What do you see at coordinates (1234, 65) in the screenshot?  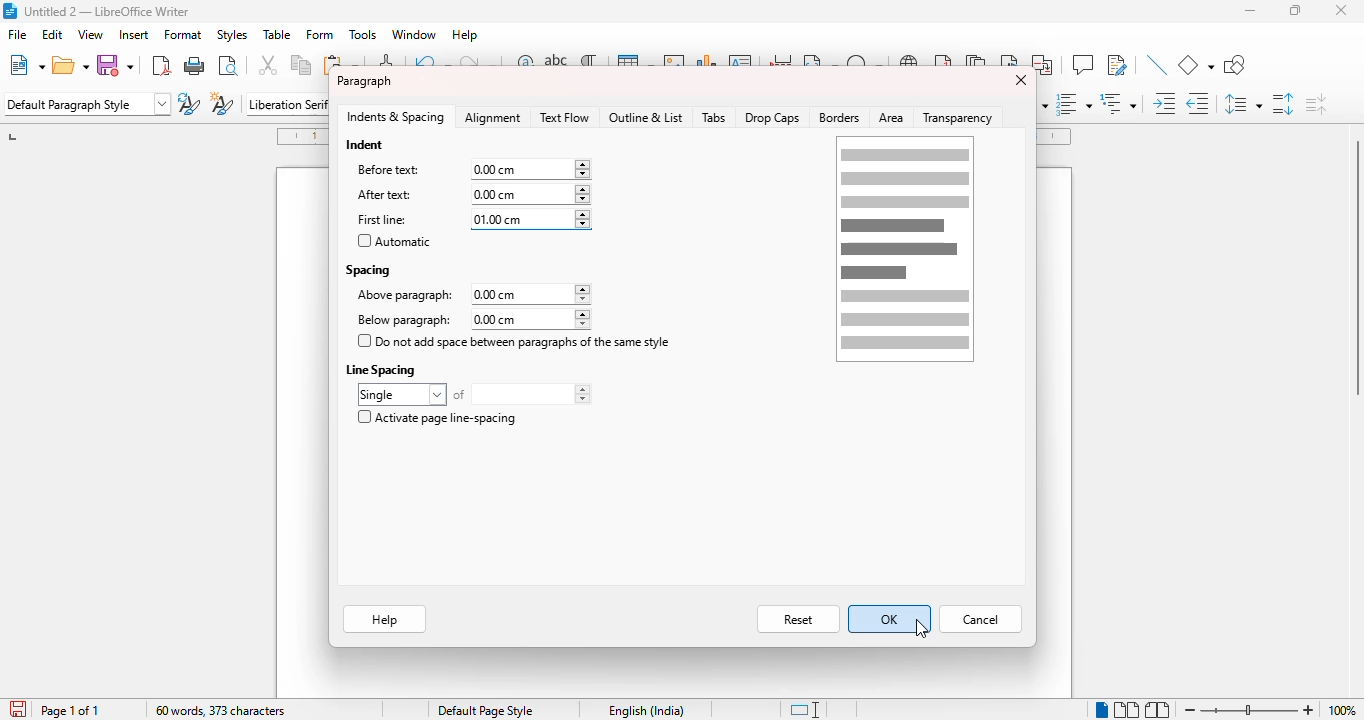 I see `show draw functions` at bounding box center [1234, 65].